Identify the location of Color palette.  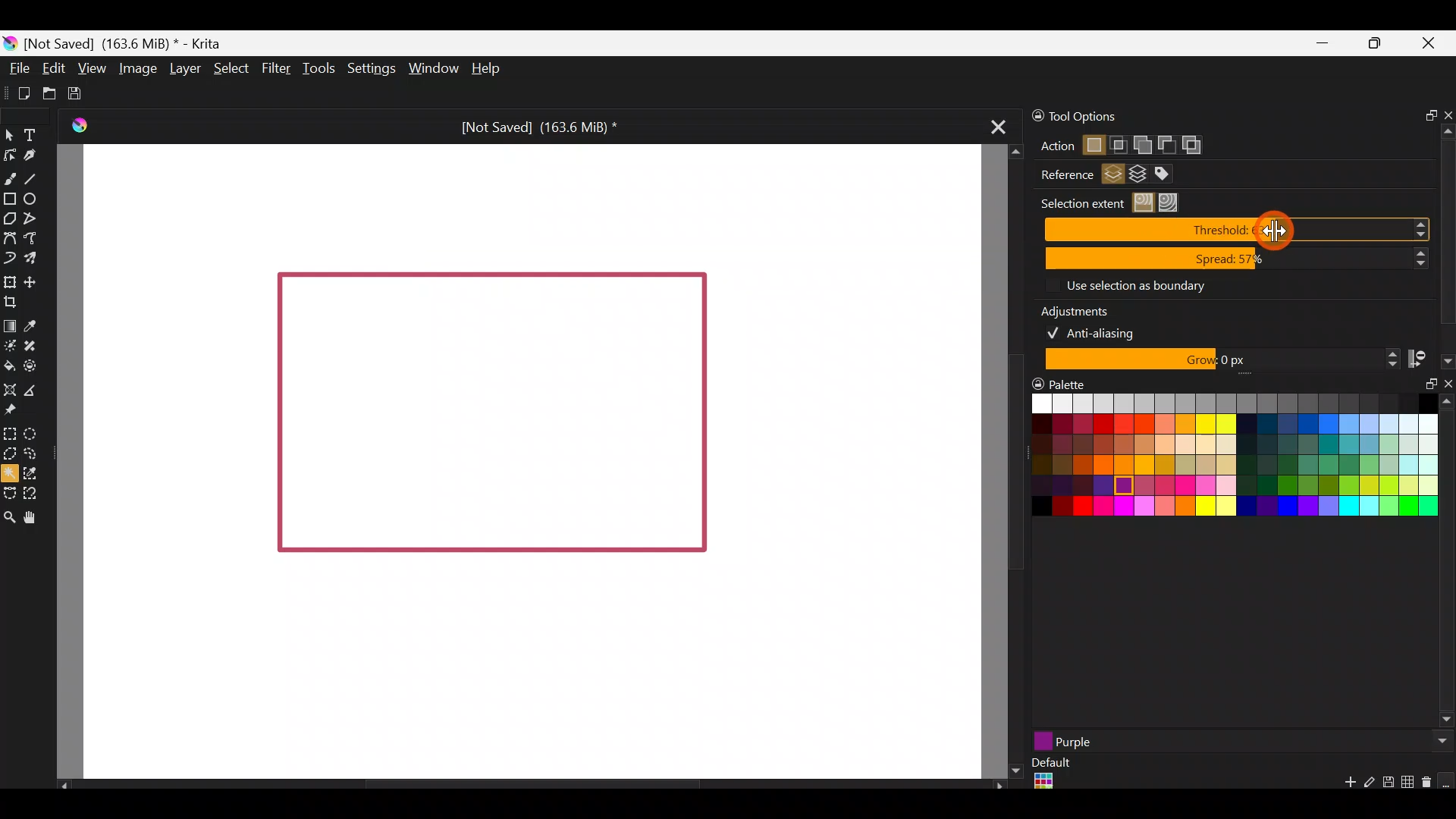
(1220, 460).